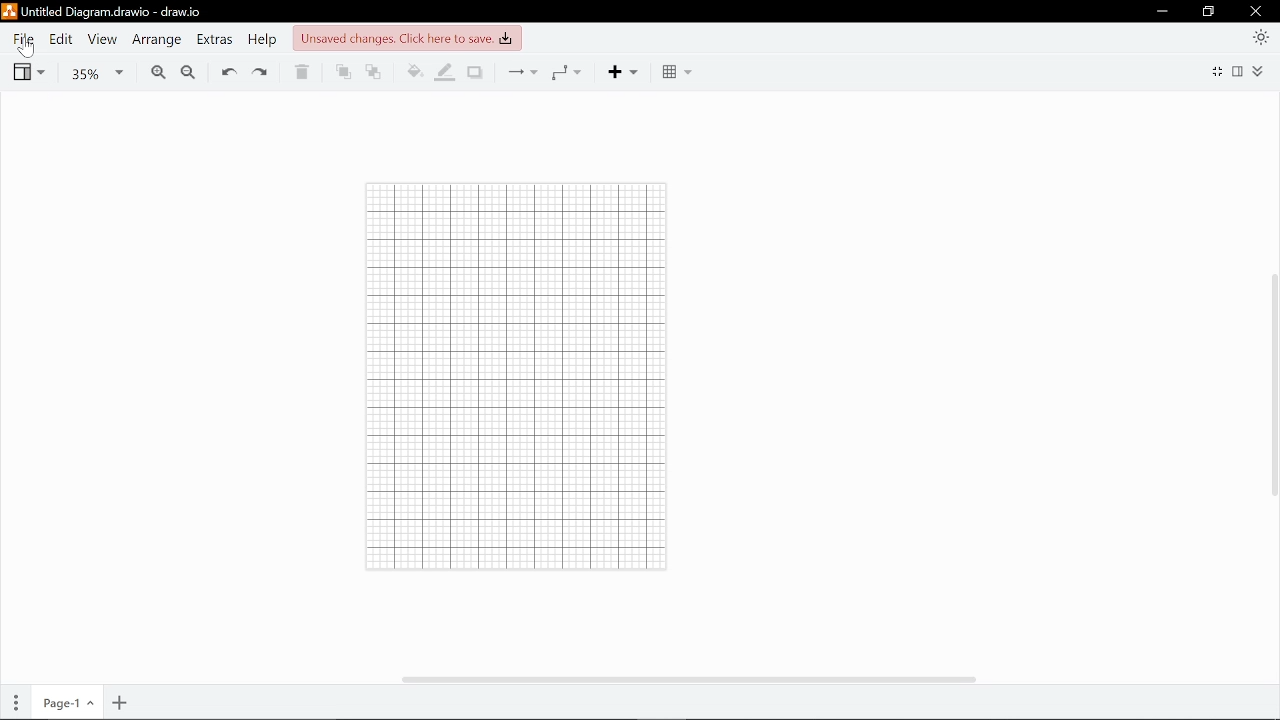 This screenshot has width=1280, height=720. What do you see at coordinates (446, 73) in the screenshot?
I see `Fill line` at bounding box center [446, 73].